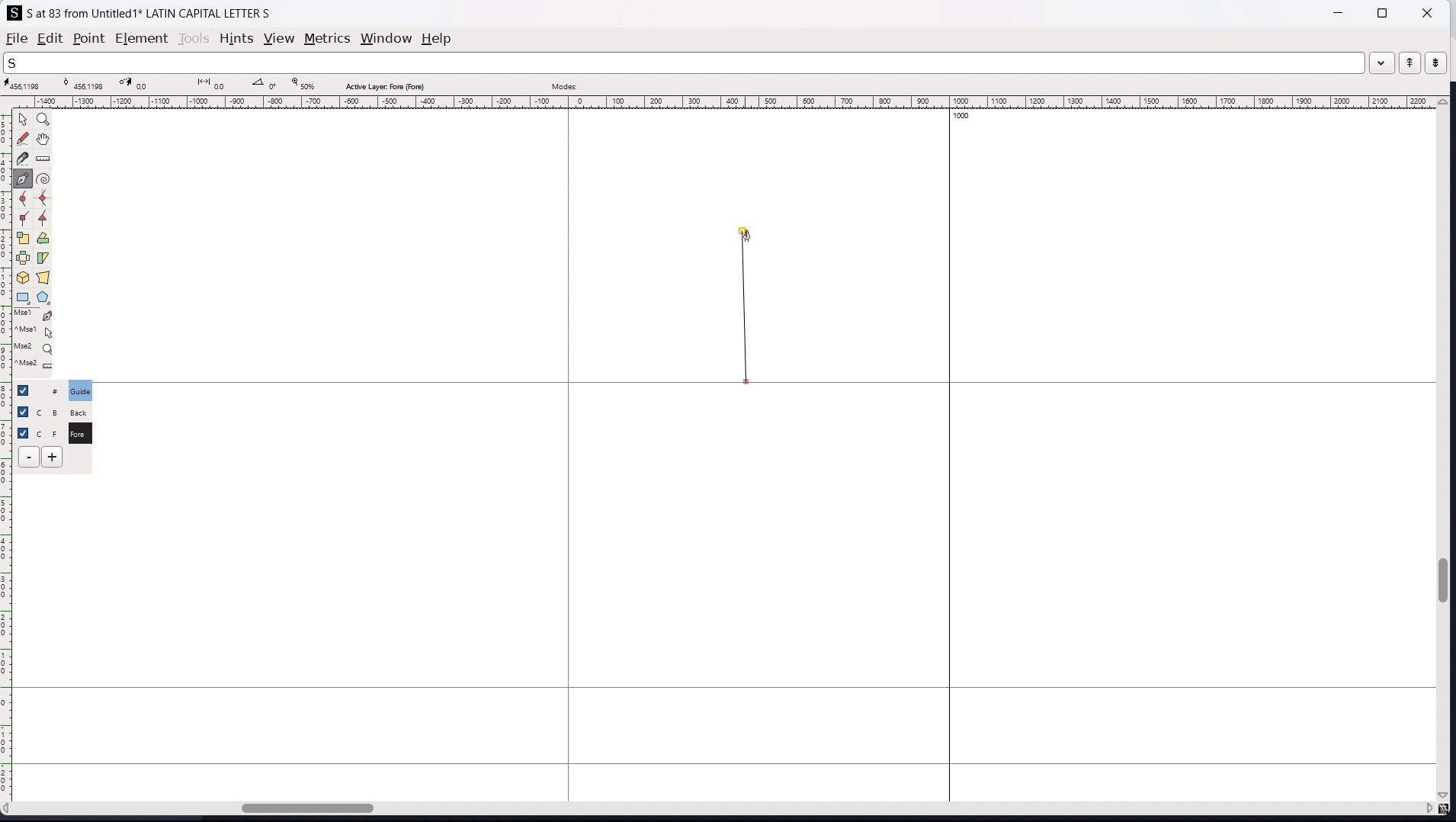 The width and height of the screenshot is (1456, 822). I want to click on rotate selection, so click(43, 239).